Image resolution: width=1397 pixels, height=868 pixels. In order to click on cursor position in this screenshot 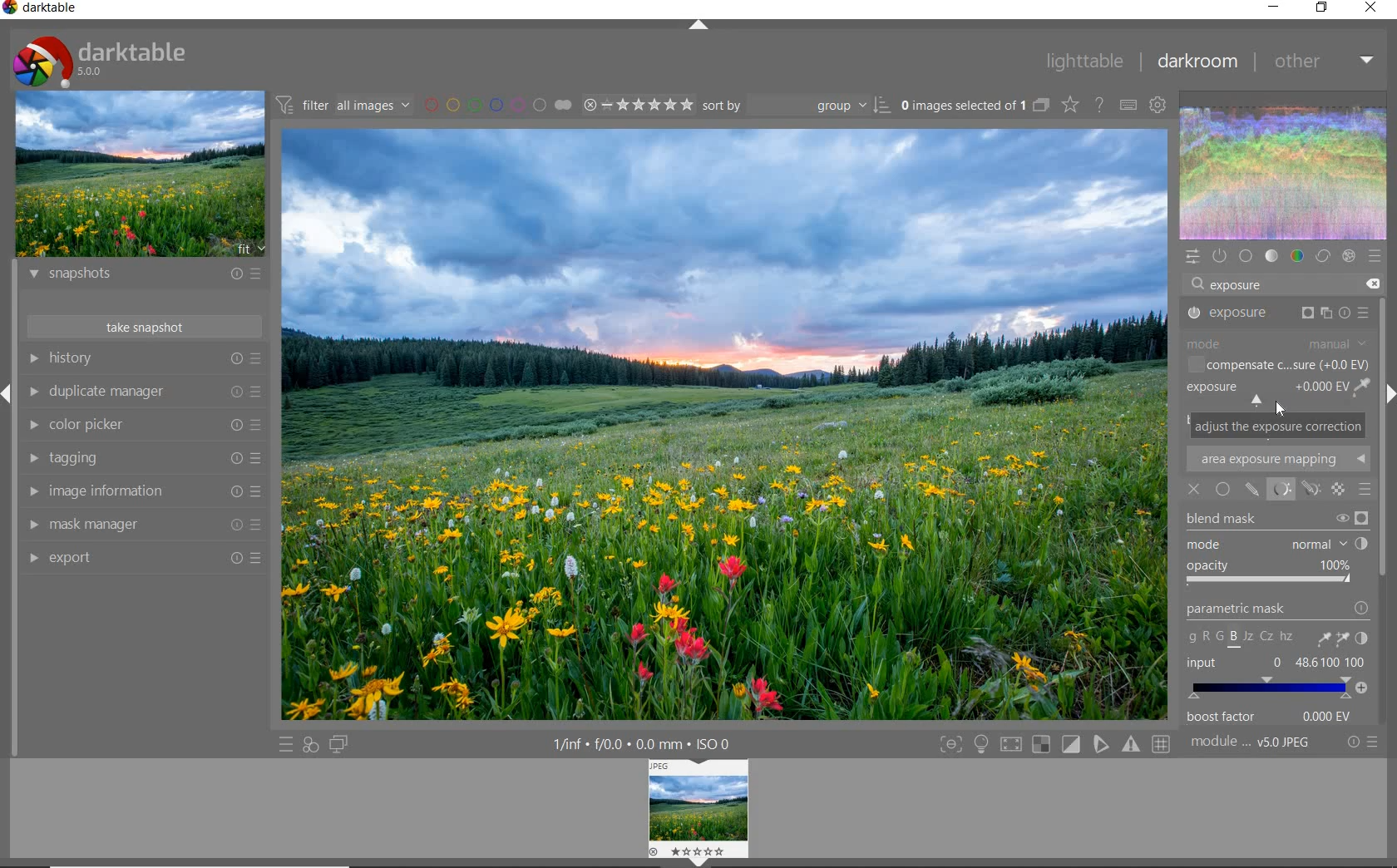, I will do `click(1282, 410)`.